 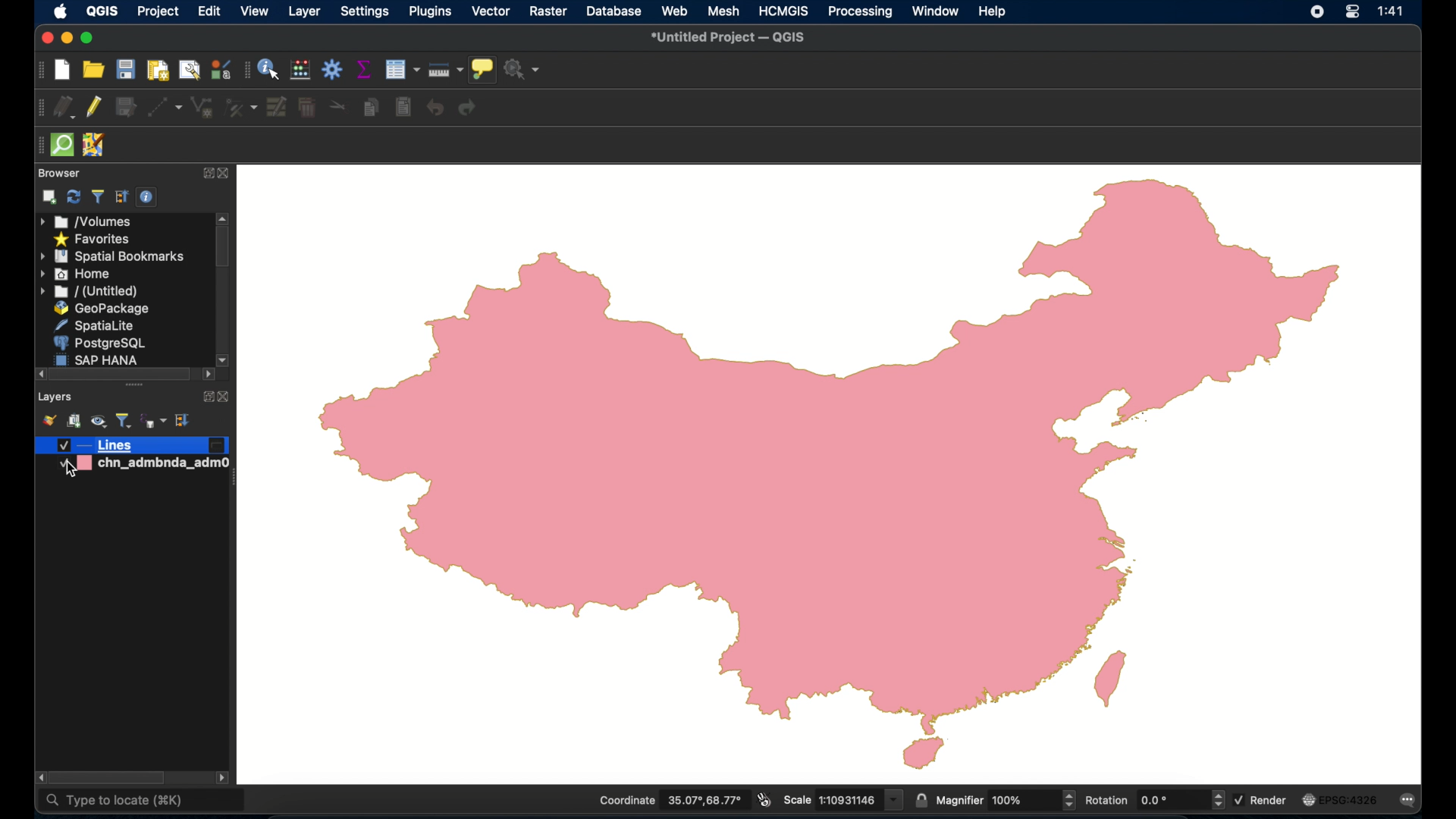 What do you see at coordinates (225, 397) in the screenshot?
I see `close` at bounding box center [225, 397].